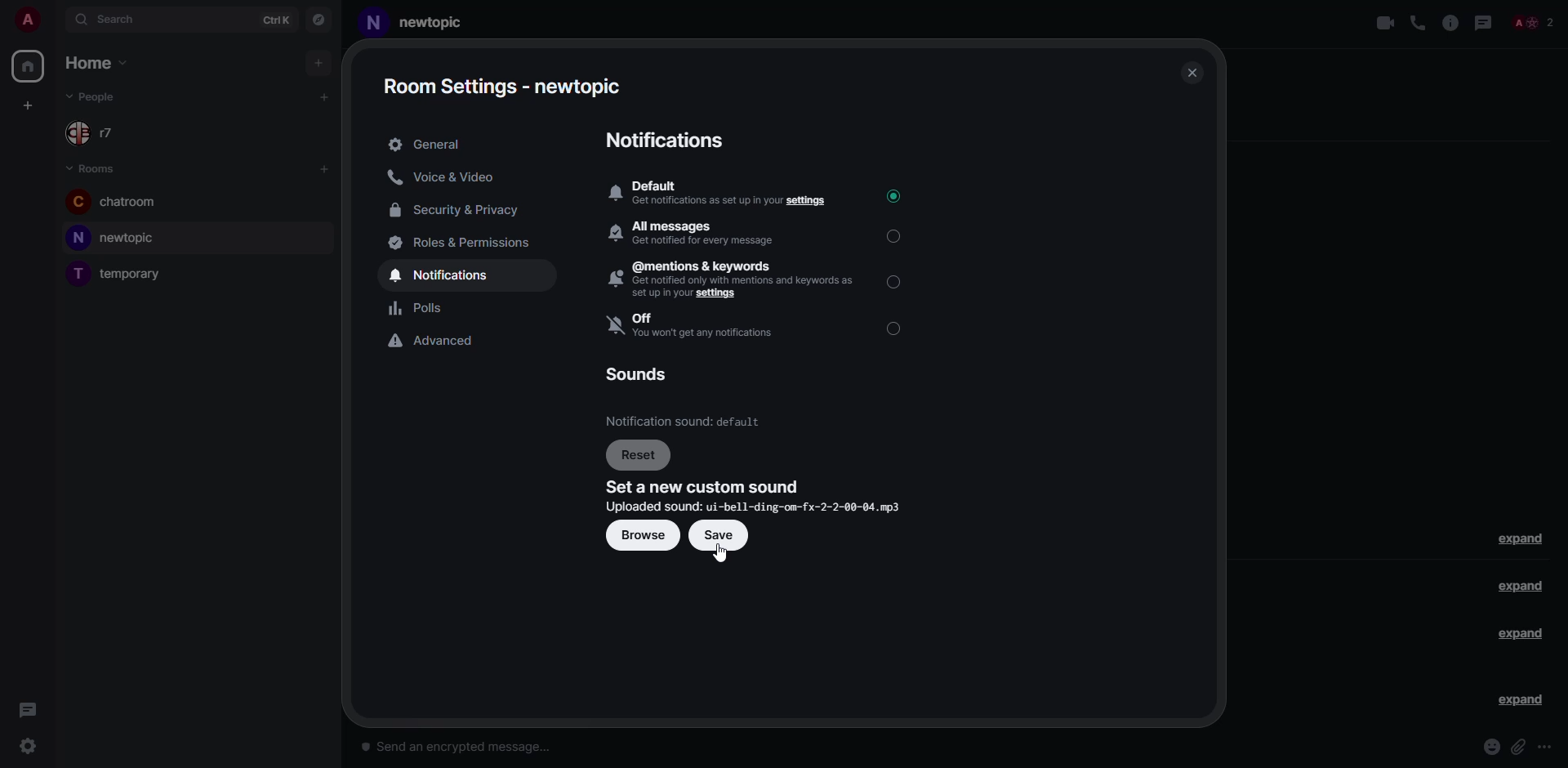 The width and height of the screenshot is (1568, 768). What do you see at coordinates (704, 487) in the screenshot?
I see `set` at bounding box center [704, 487].